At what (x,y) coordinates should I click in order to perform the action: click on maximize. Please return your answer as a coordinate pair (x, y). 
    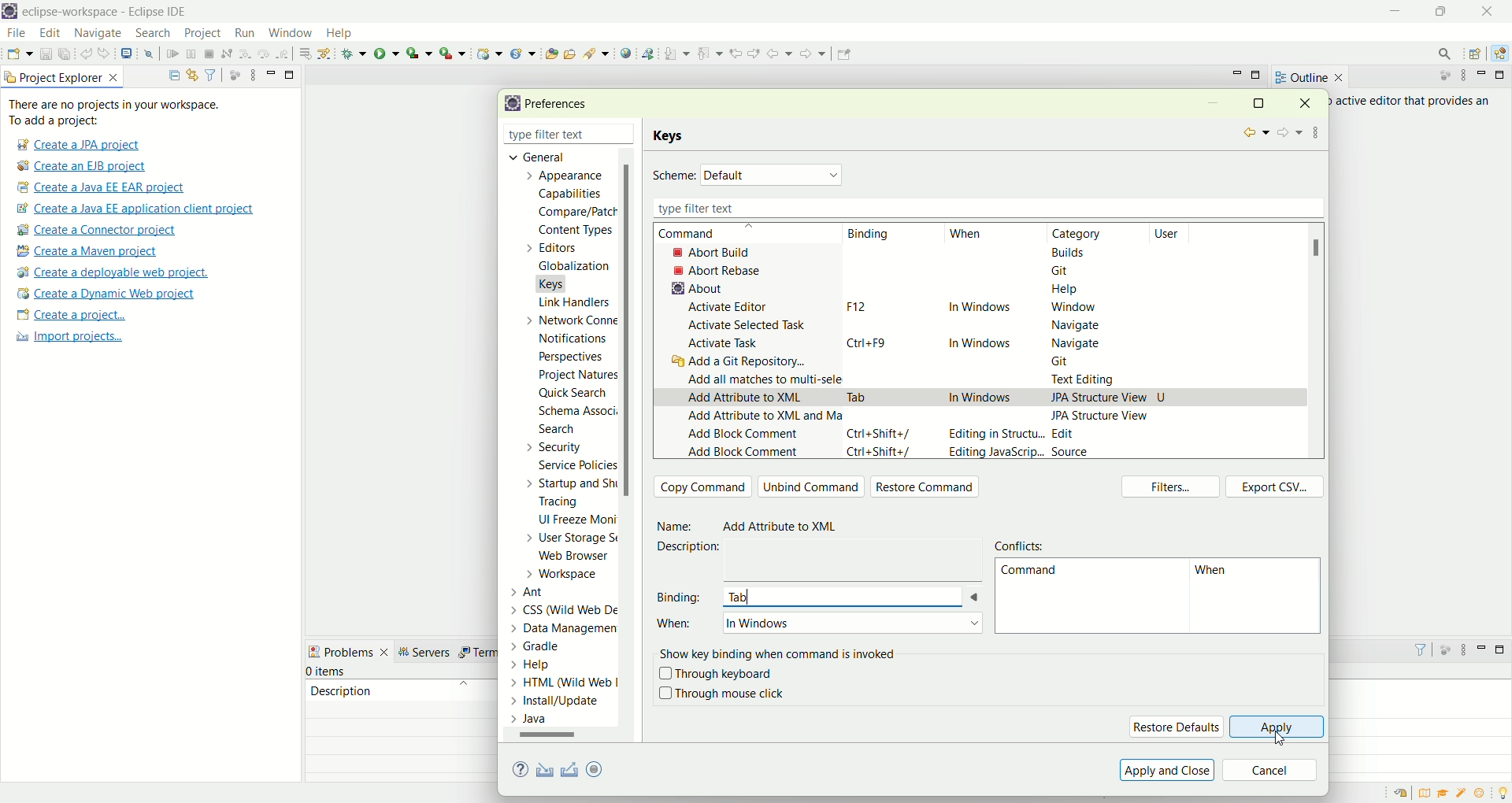
    Looking at the image, I should click on (291, 73).